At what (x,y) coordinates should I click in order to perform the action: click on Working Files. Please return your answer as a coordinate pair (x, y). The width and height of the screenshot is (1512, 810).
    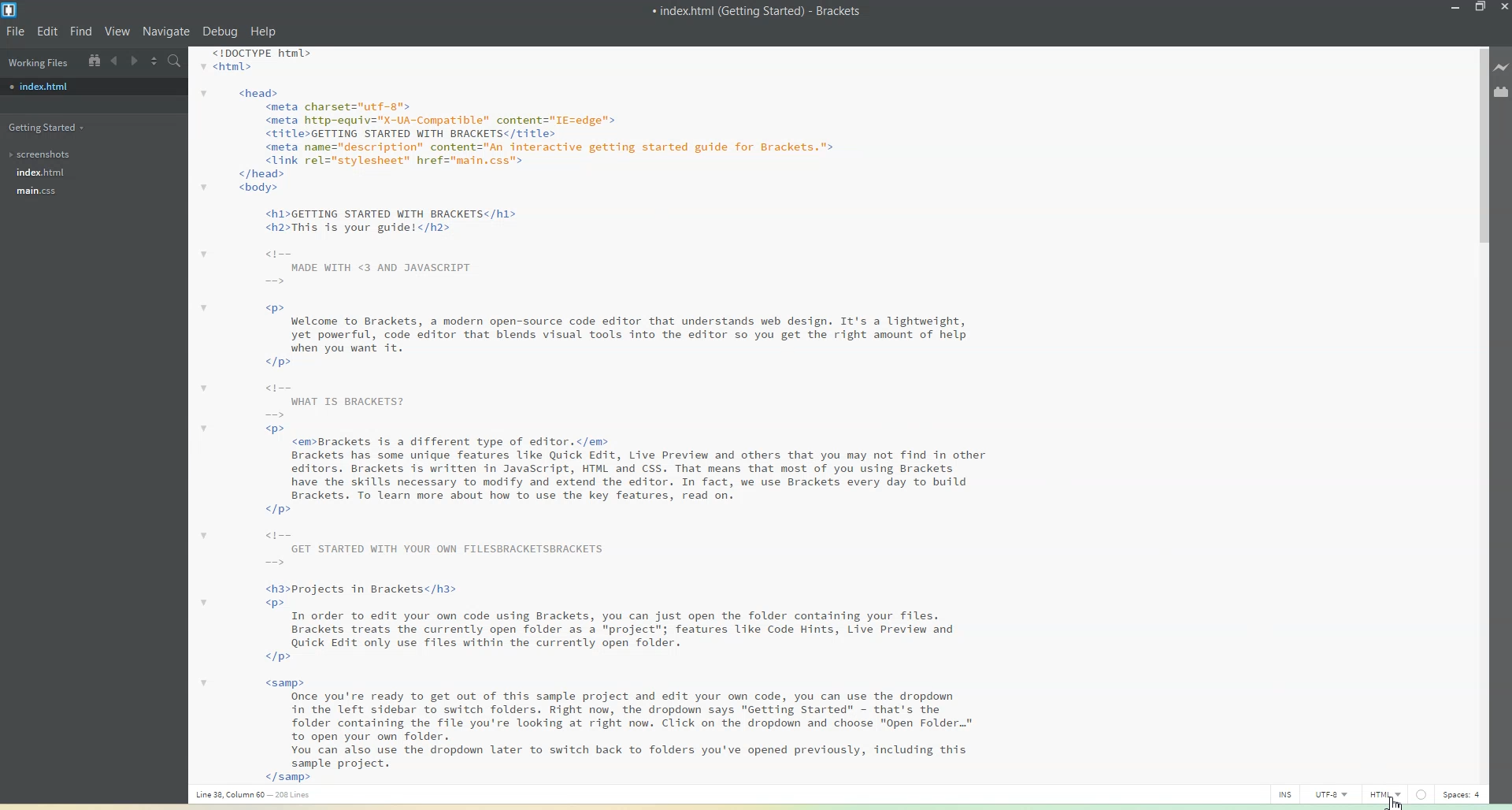
    Looking at the image, I should click on (37, 61).